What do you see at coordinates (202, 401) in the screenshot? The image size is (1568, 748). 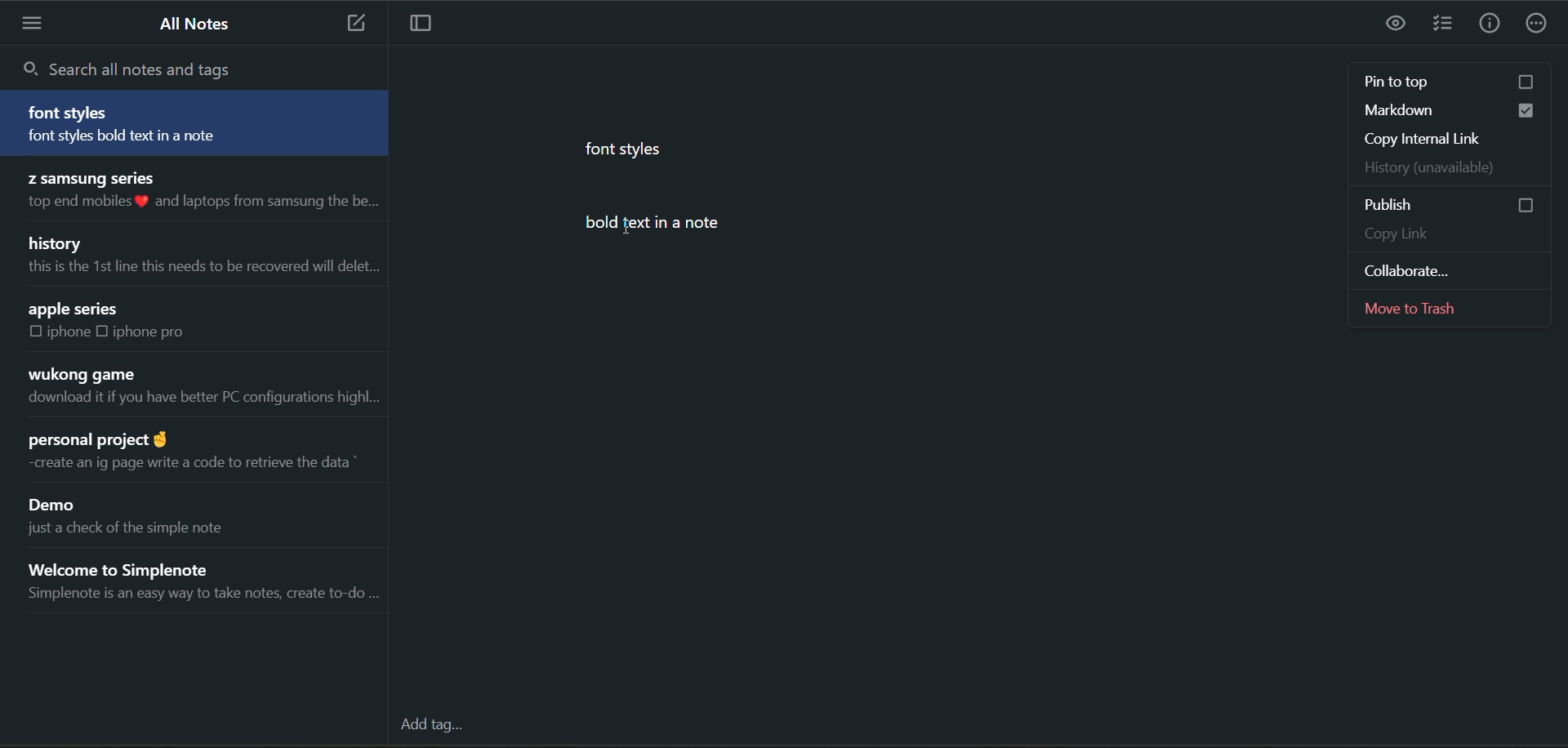 I see `download it if you have better PC configurations highl...` at bounding box center [202, 401].